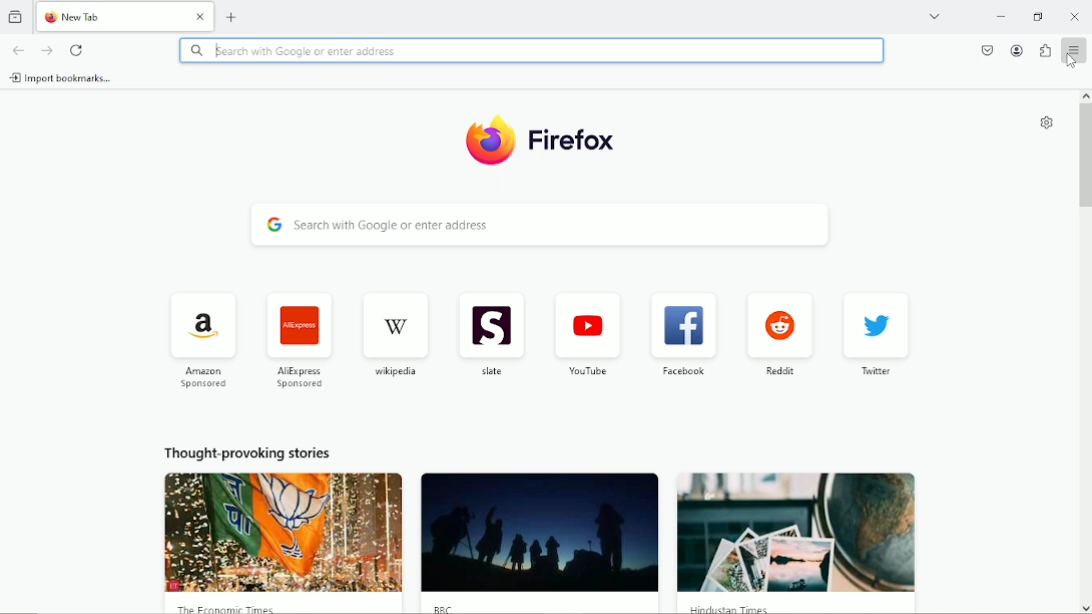  I want to click on Scroll Down, so click(1085, 608).